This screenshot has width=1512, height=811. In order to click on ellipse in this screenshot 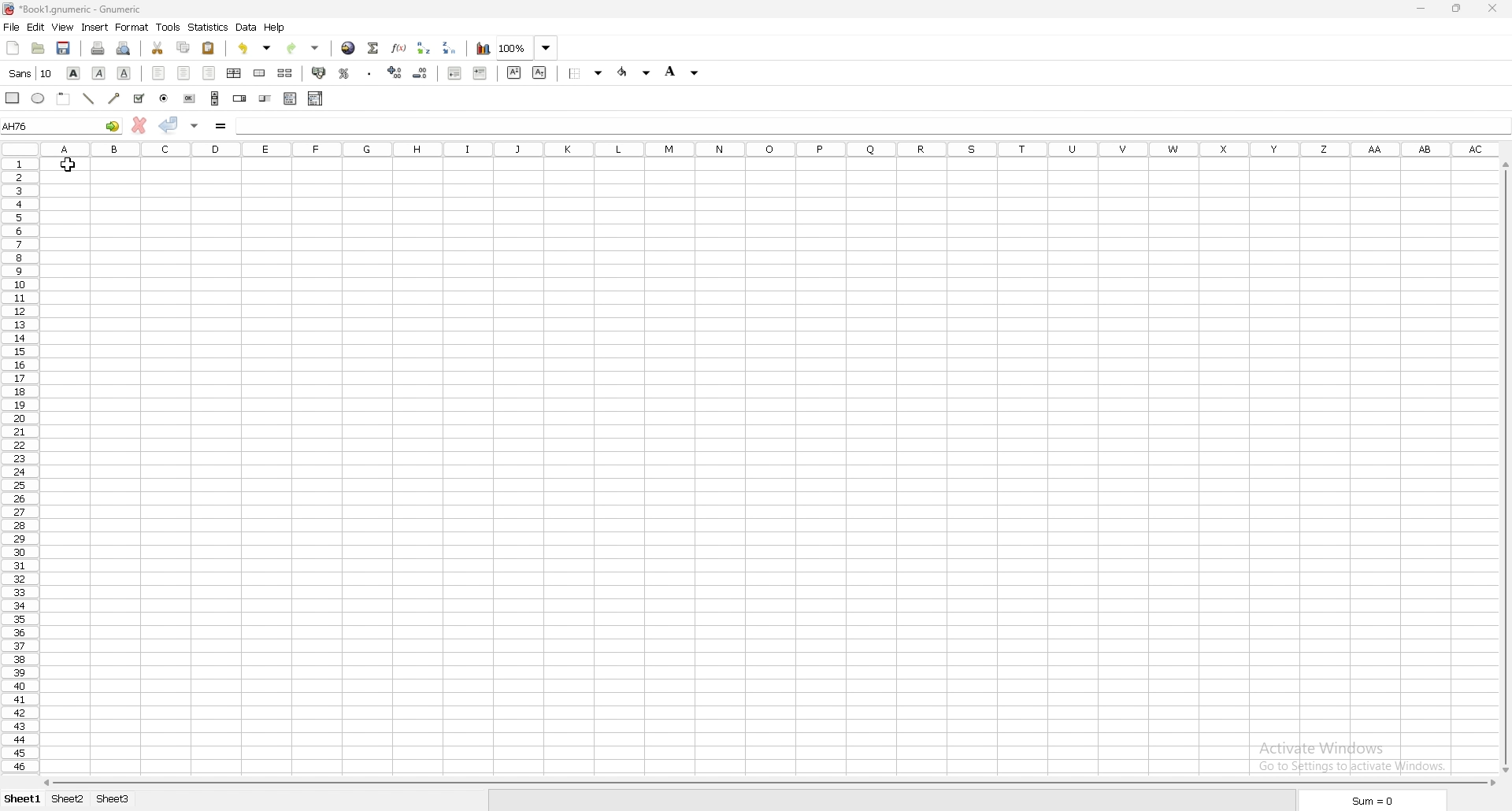, I will do `click(39, 98)`.